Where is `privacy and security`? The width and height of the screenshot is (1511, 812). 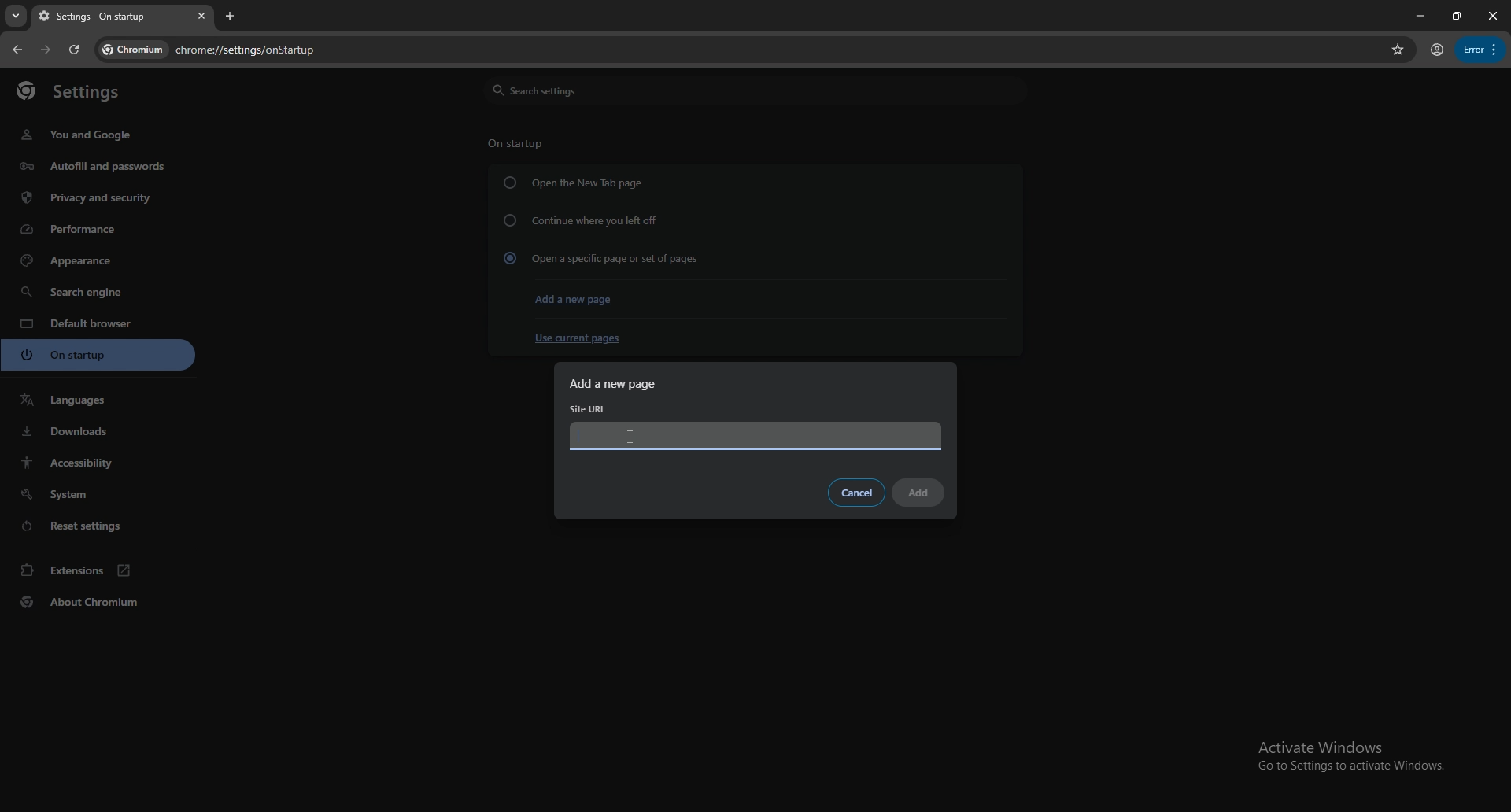
privacy and security is located at coordinates (91, 197).